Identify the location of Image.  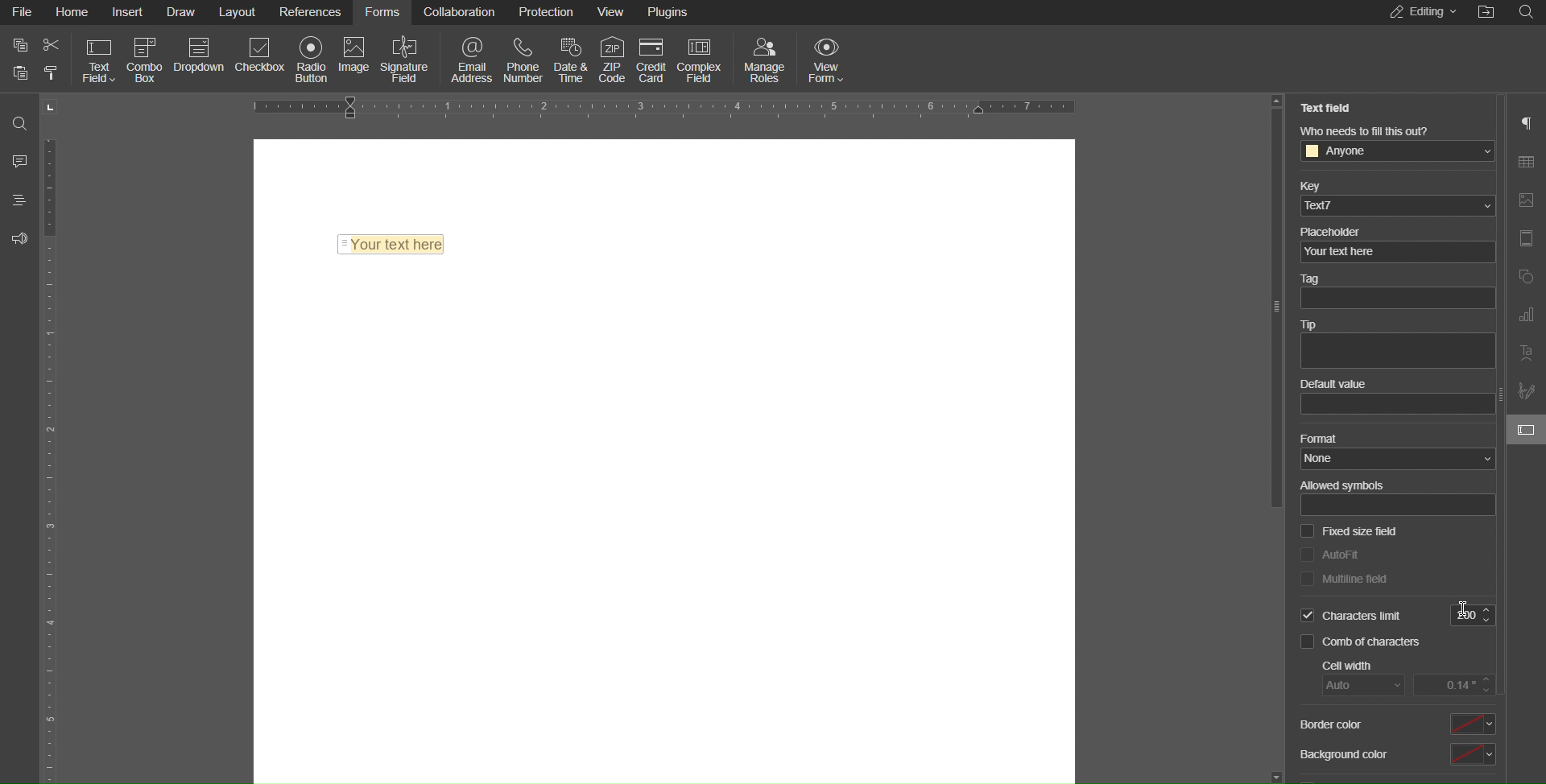
(360, 58).